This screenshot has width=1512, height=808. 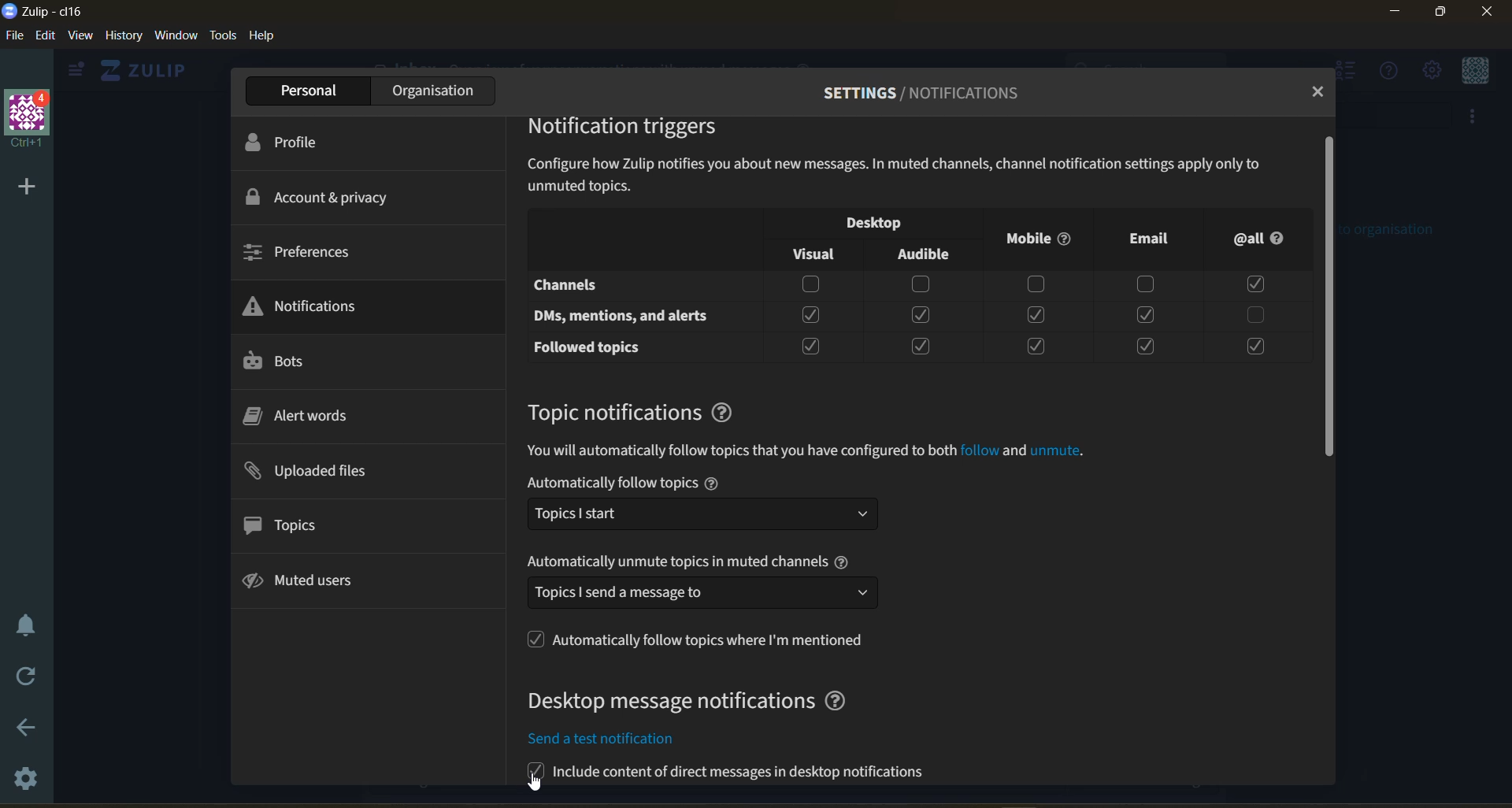 I want to click on Checkbox, so click(x=1037, y=284).